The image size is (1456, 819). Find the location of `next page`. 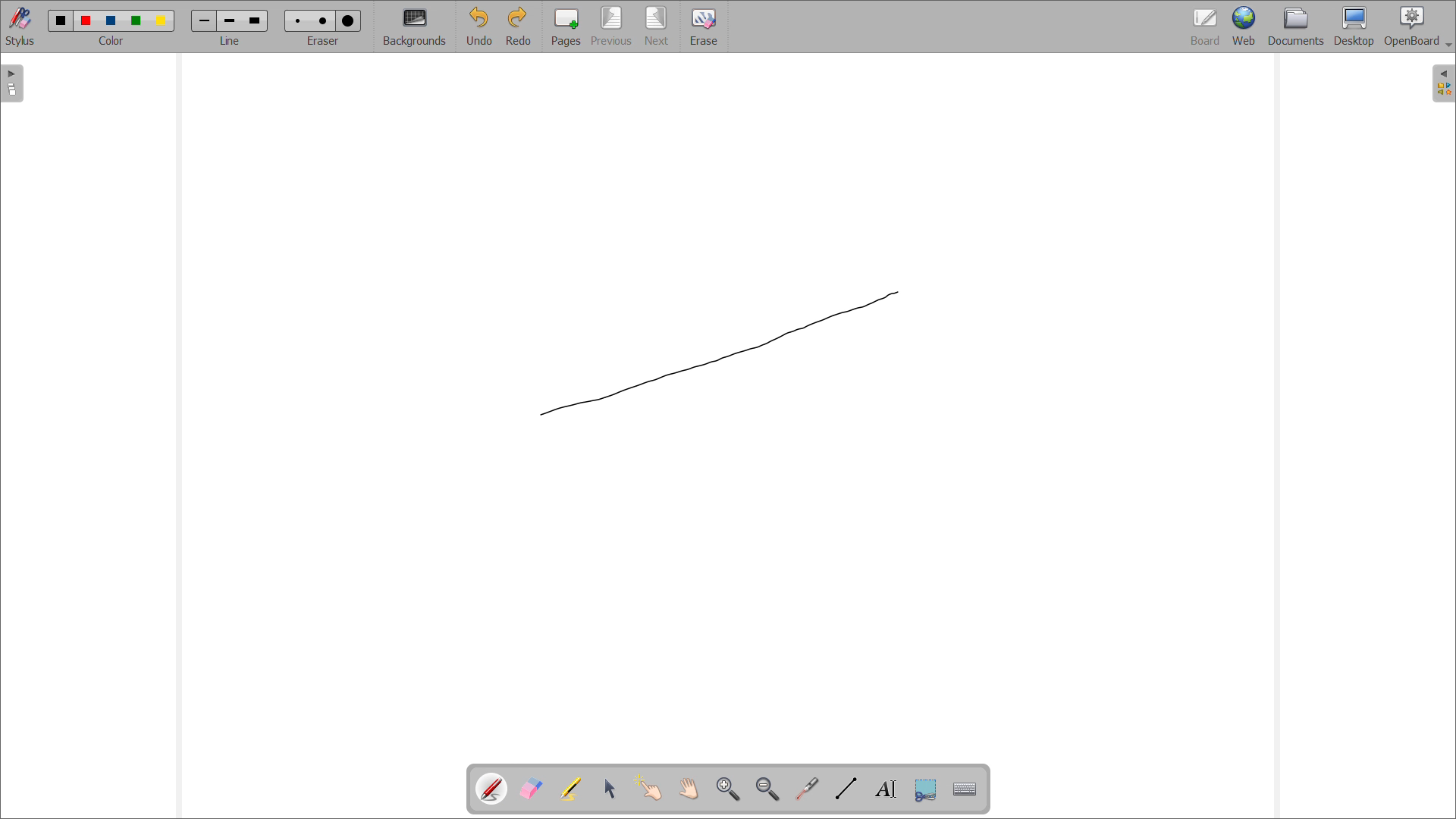

next page is located at coordinates (657, 27).